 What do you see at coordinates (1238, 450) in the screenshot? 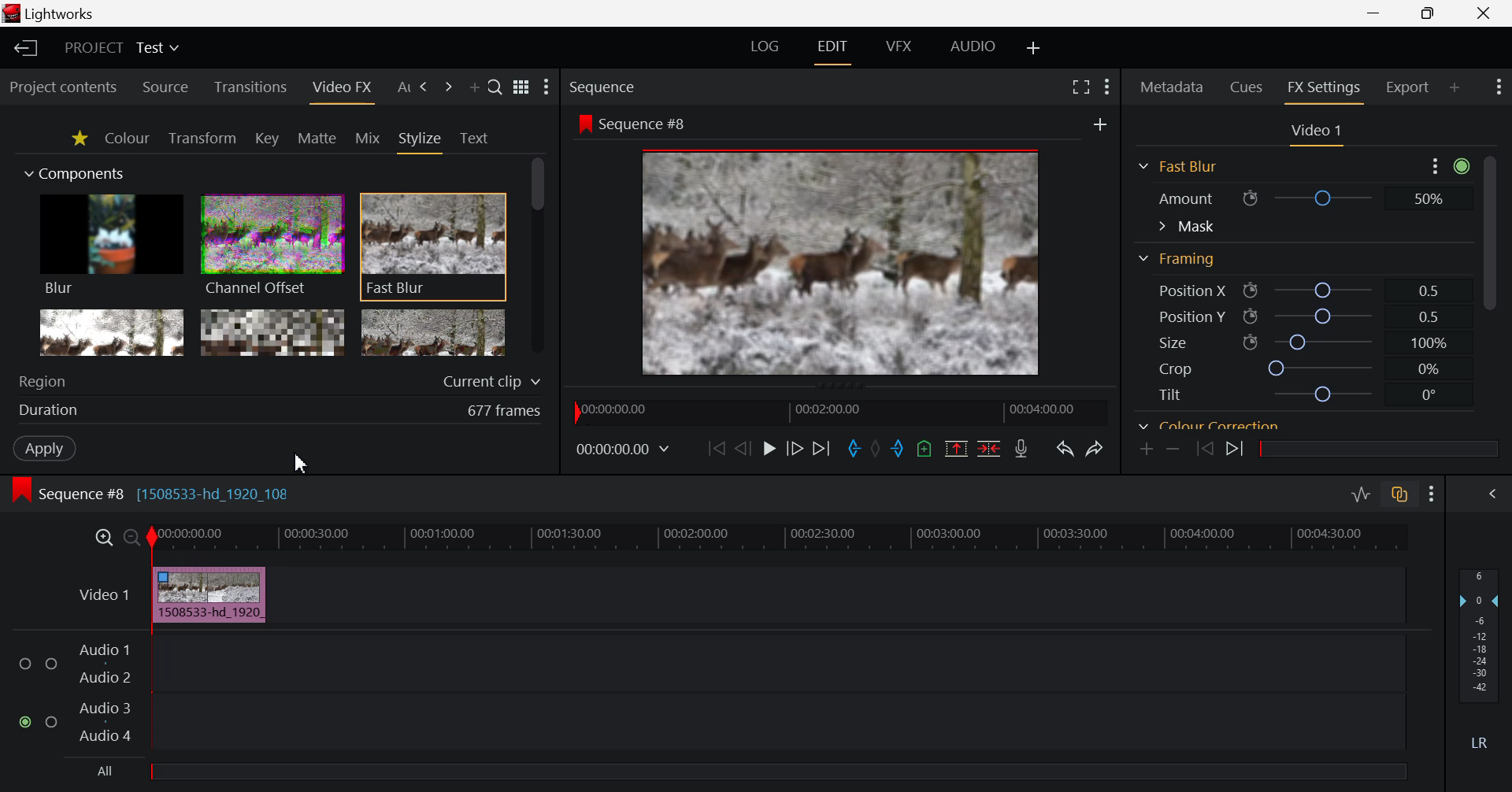
I see `Next keyframe` at bounding box center [1238, 450].